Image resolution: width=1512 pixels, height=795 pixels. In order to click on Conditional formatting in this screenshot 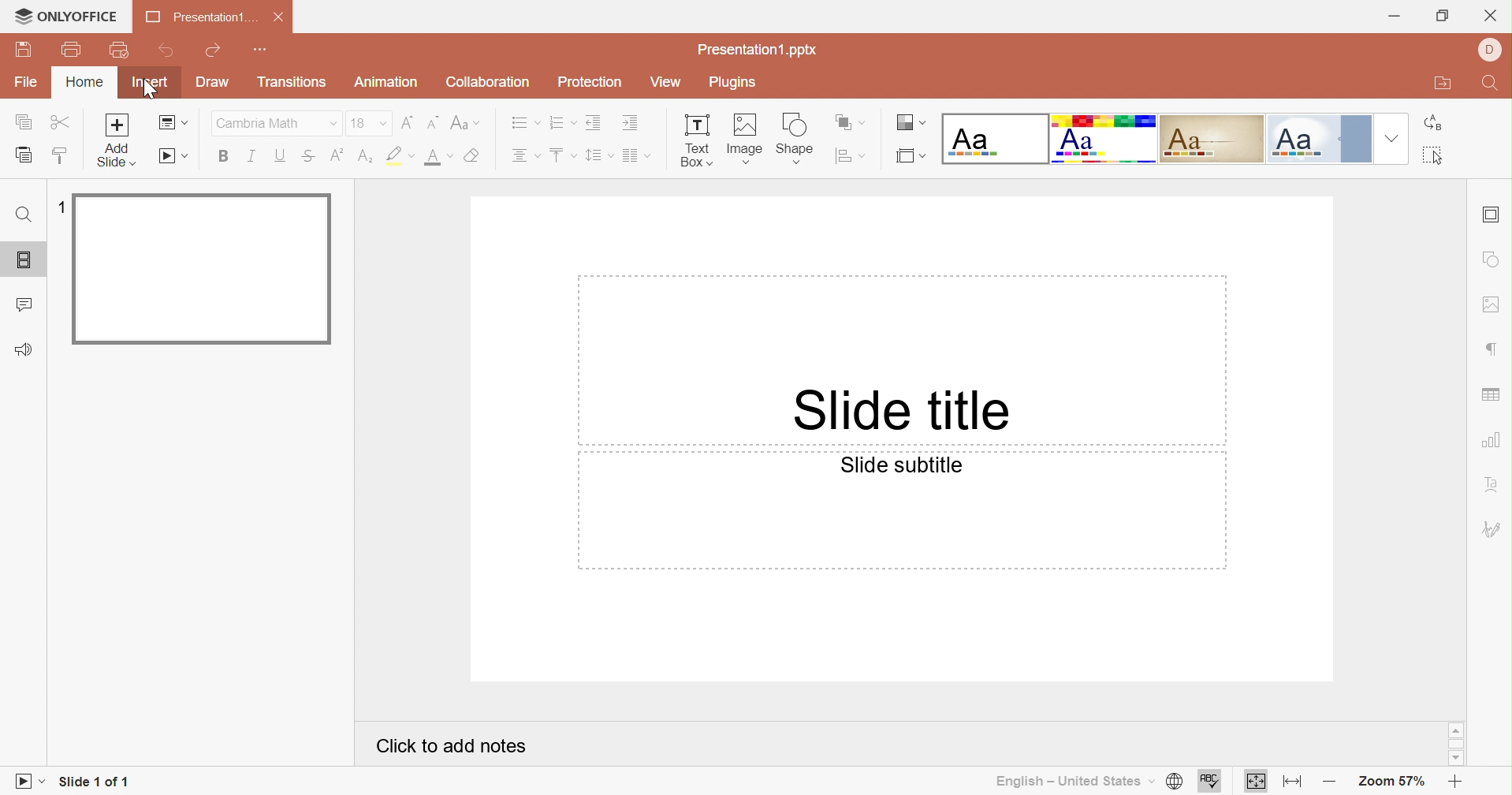, I will do `click(906, 121)`.